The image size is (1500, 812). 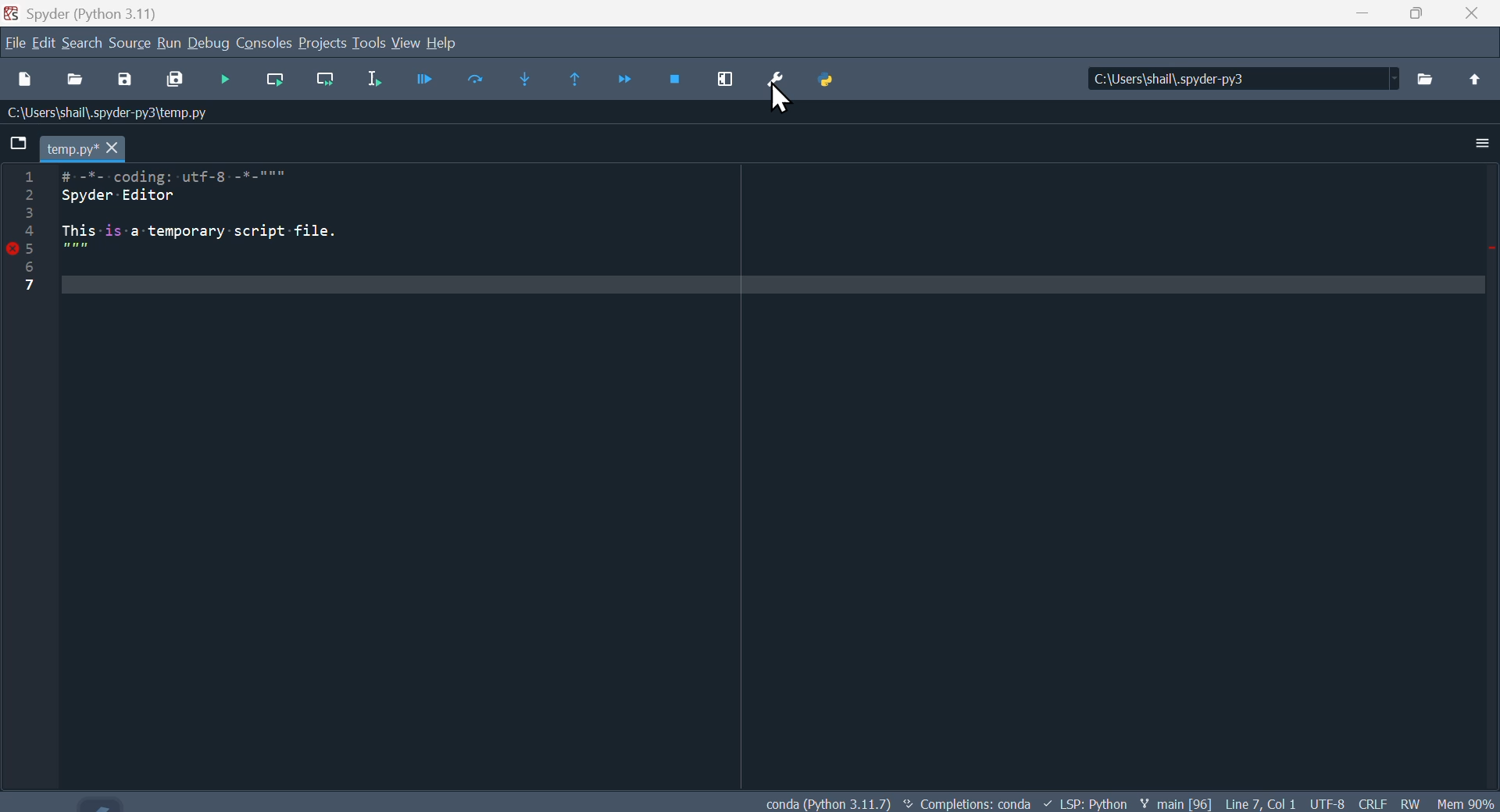 What do you see at coordinates (414, 77) in the screenshot?
I see `Run File` at bounding box center [414, 77].